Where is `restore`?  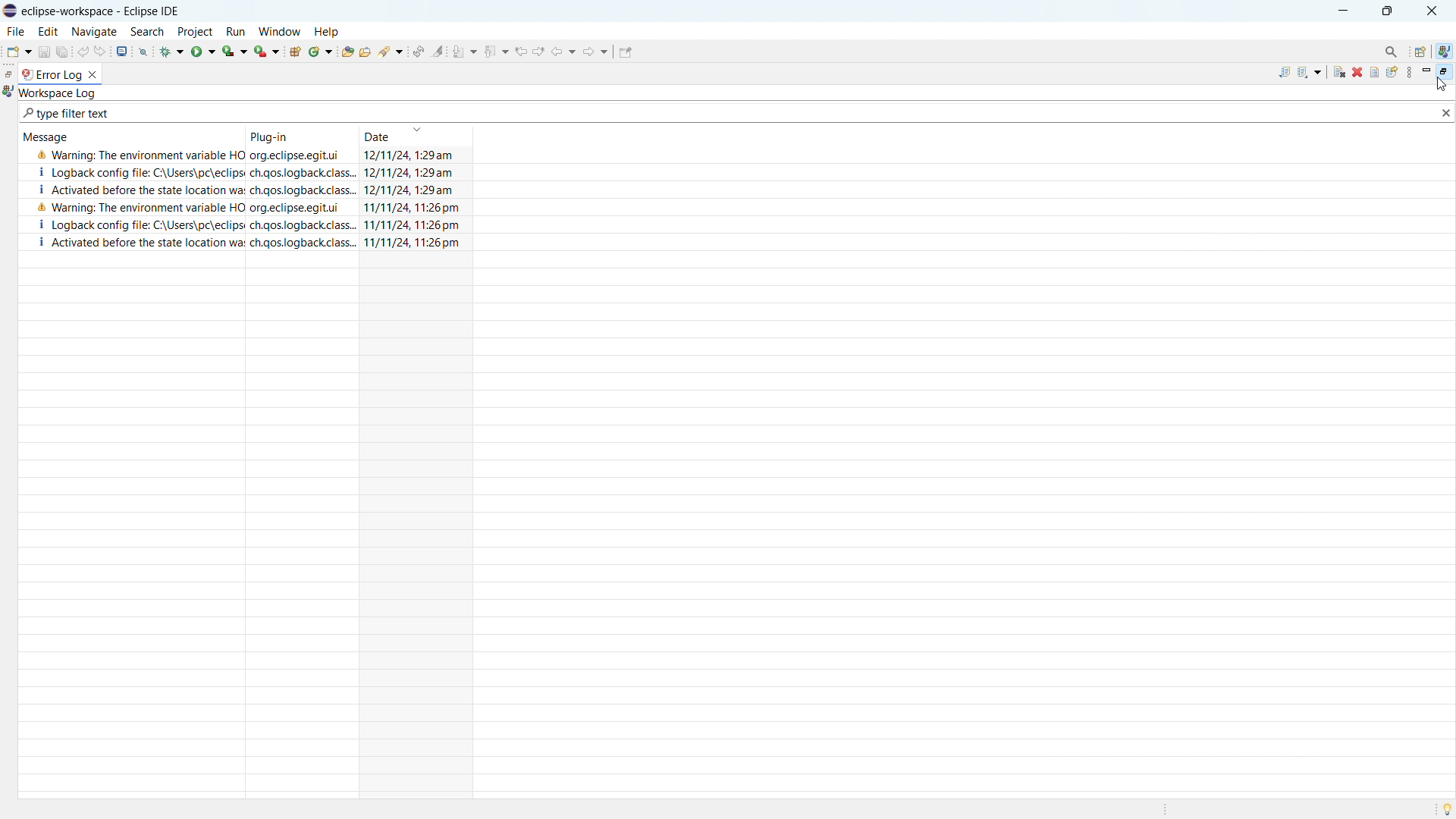 restore is located at coordinates (9, 74).